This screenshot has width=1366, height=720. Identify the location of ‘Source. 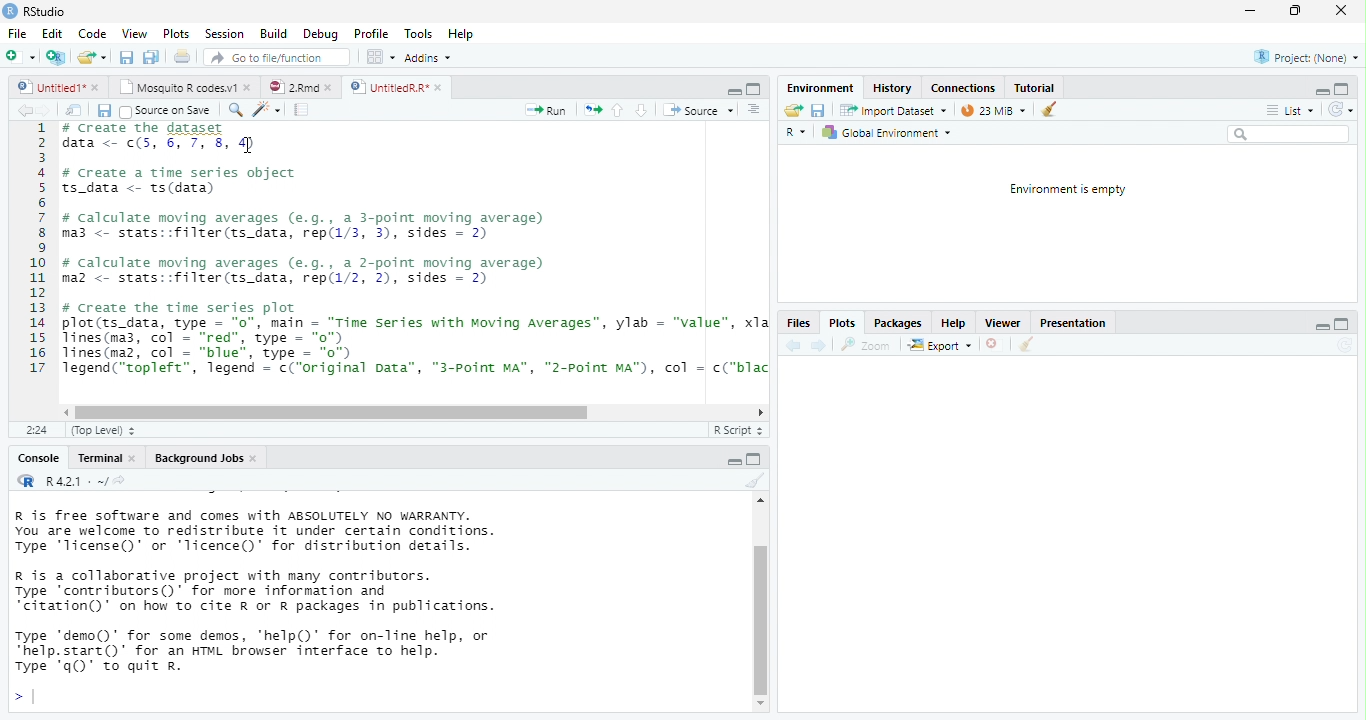
(700, 110).